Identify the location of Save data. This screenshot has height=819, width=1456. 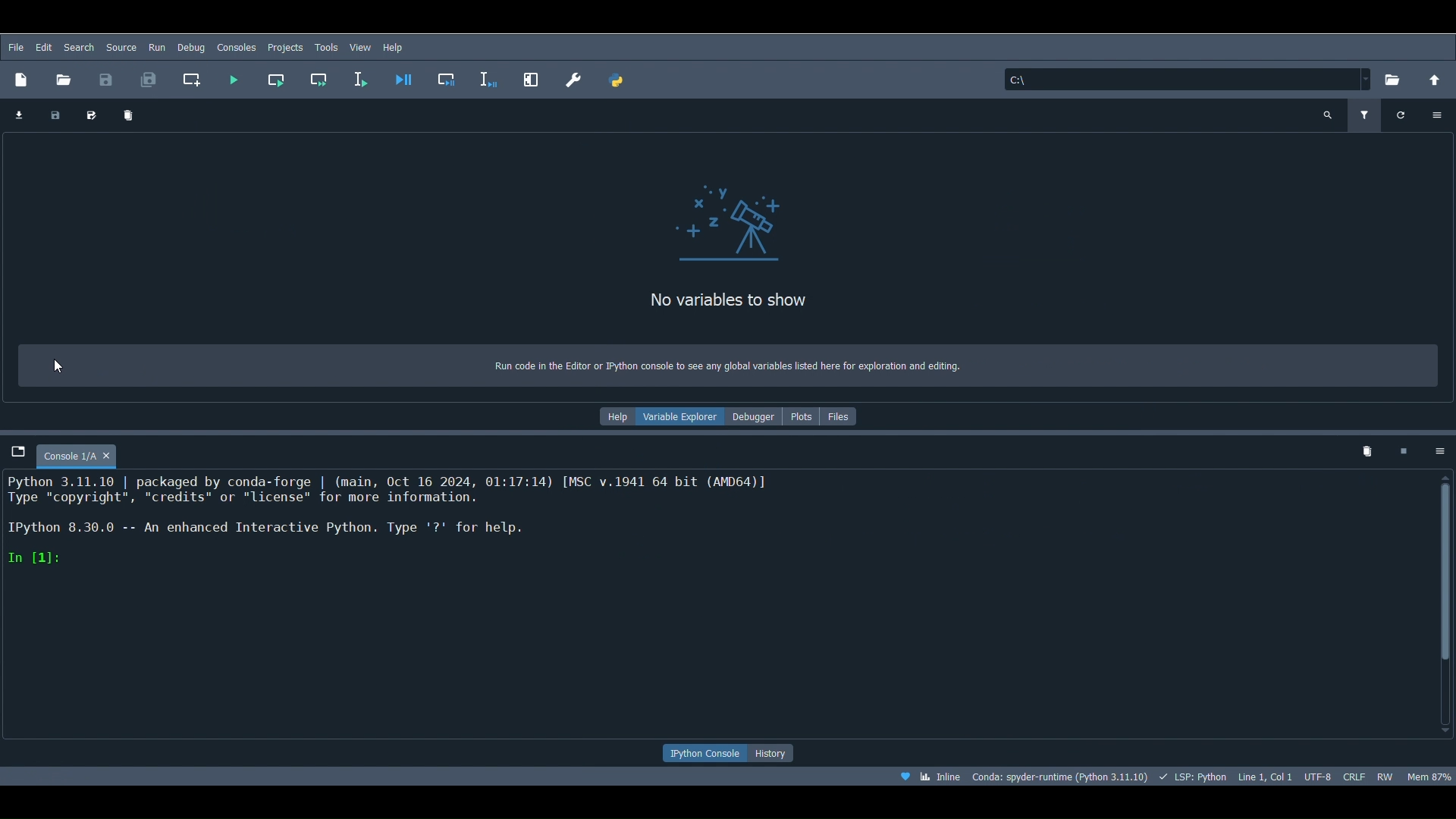
(53, 117).